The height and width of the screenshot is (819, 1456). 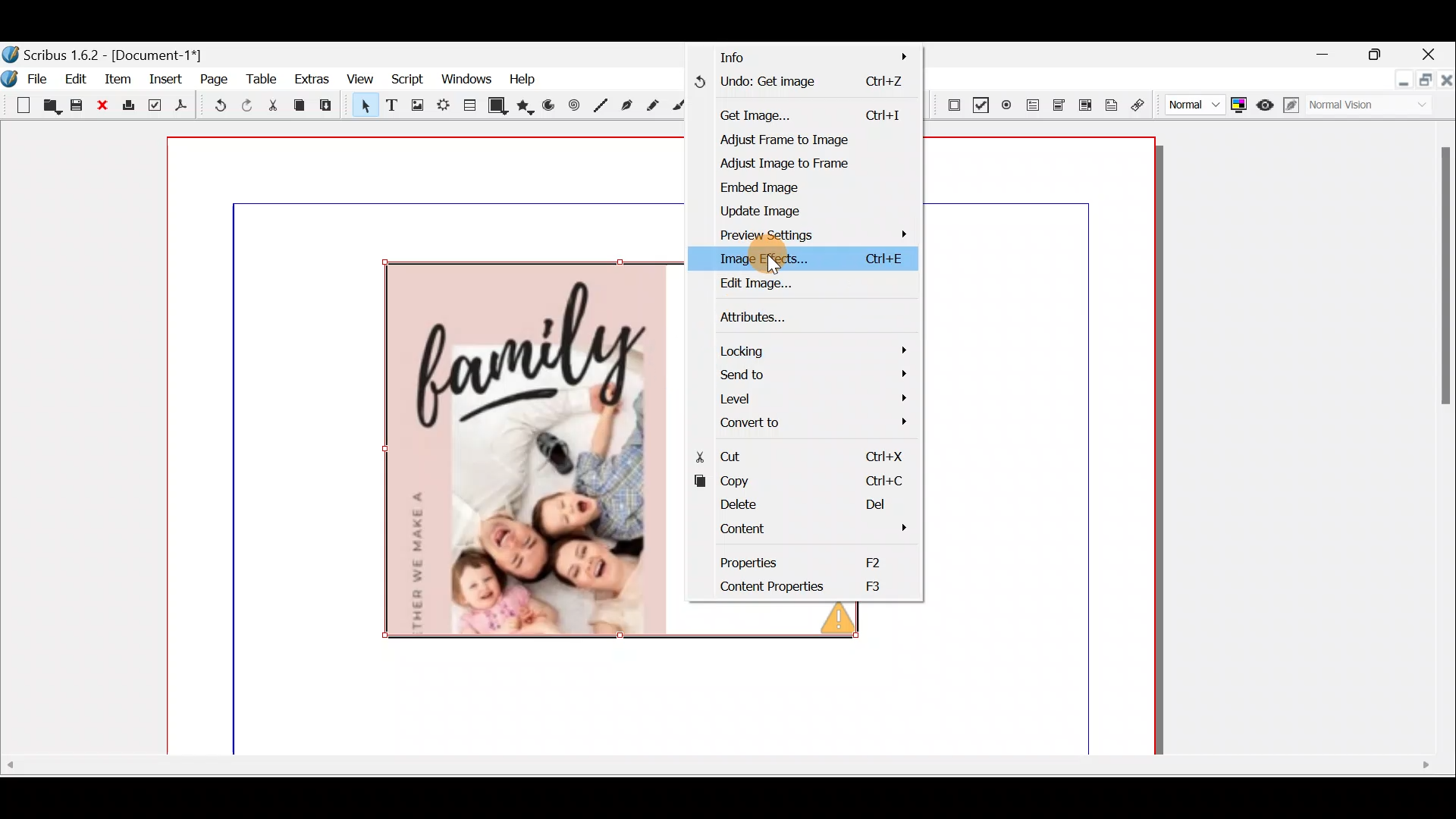 What do you see at coordinates (804, 258) in the screenshot?
I see `Image effects` at bounding box center [804, 258].